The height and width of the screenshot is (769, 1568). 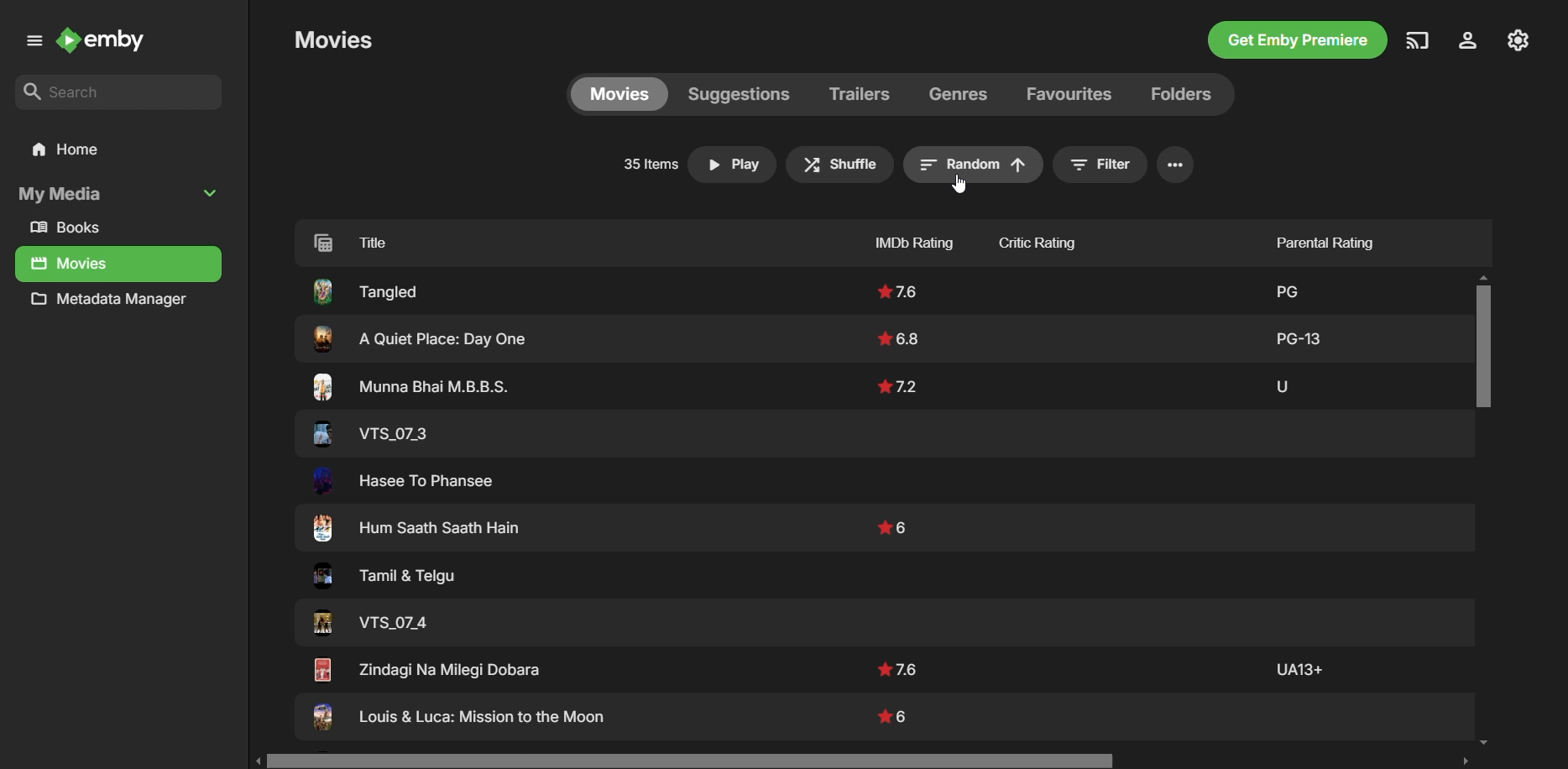 What do you see at coordinates (900, 668) in the screenshot?
I see `` at bounding box center [900, 668].